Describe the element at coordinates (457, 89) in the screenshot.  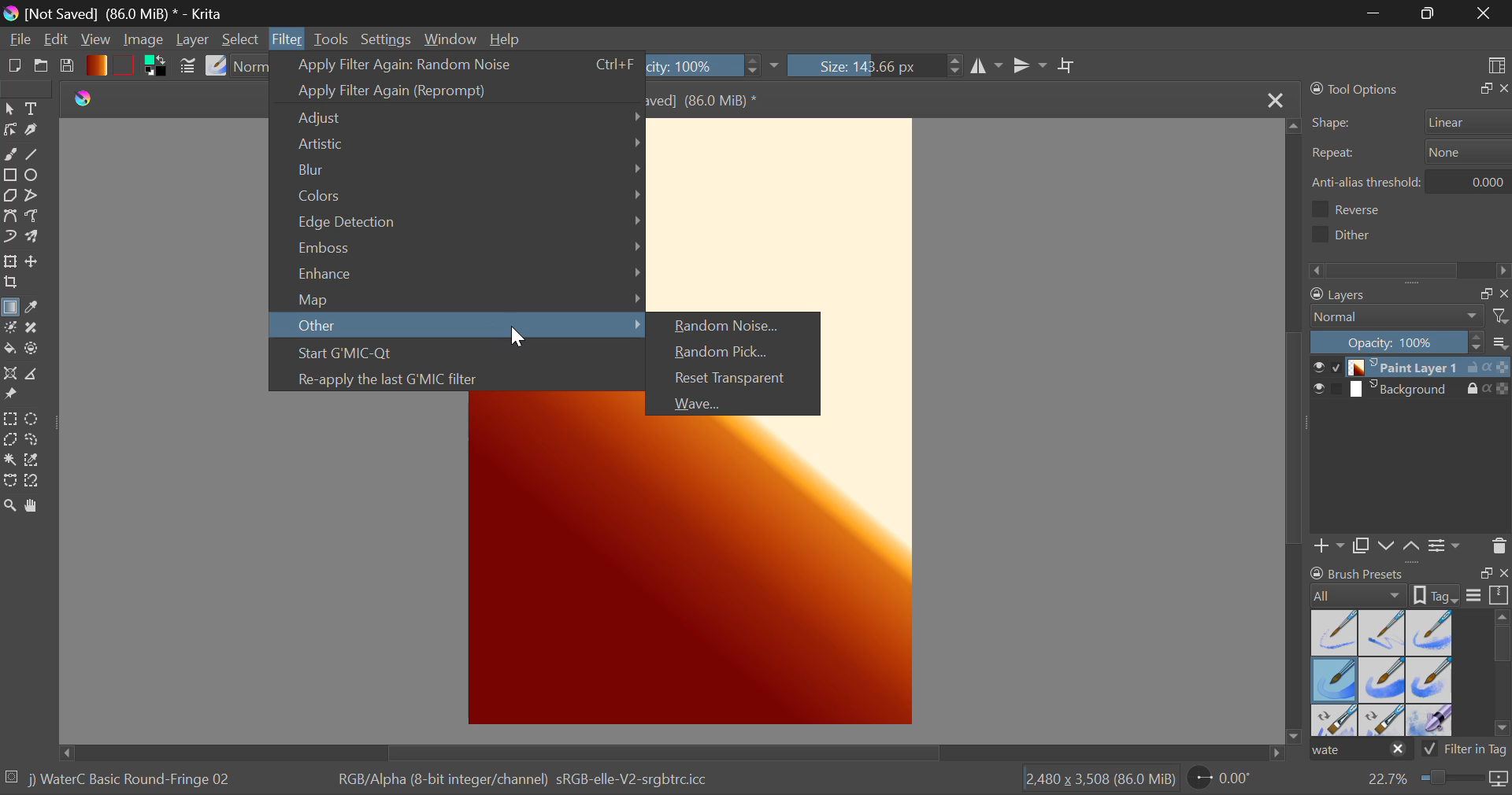
I see `Apply Filter Again - Reprompted` at that location.